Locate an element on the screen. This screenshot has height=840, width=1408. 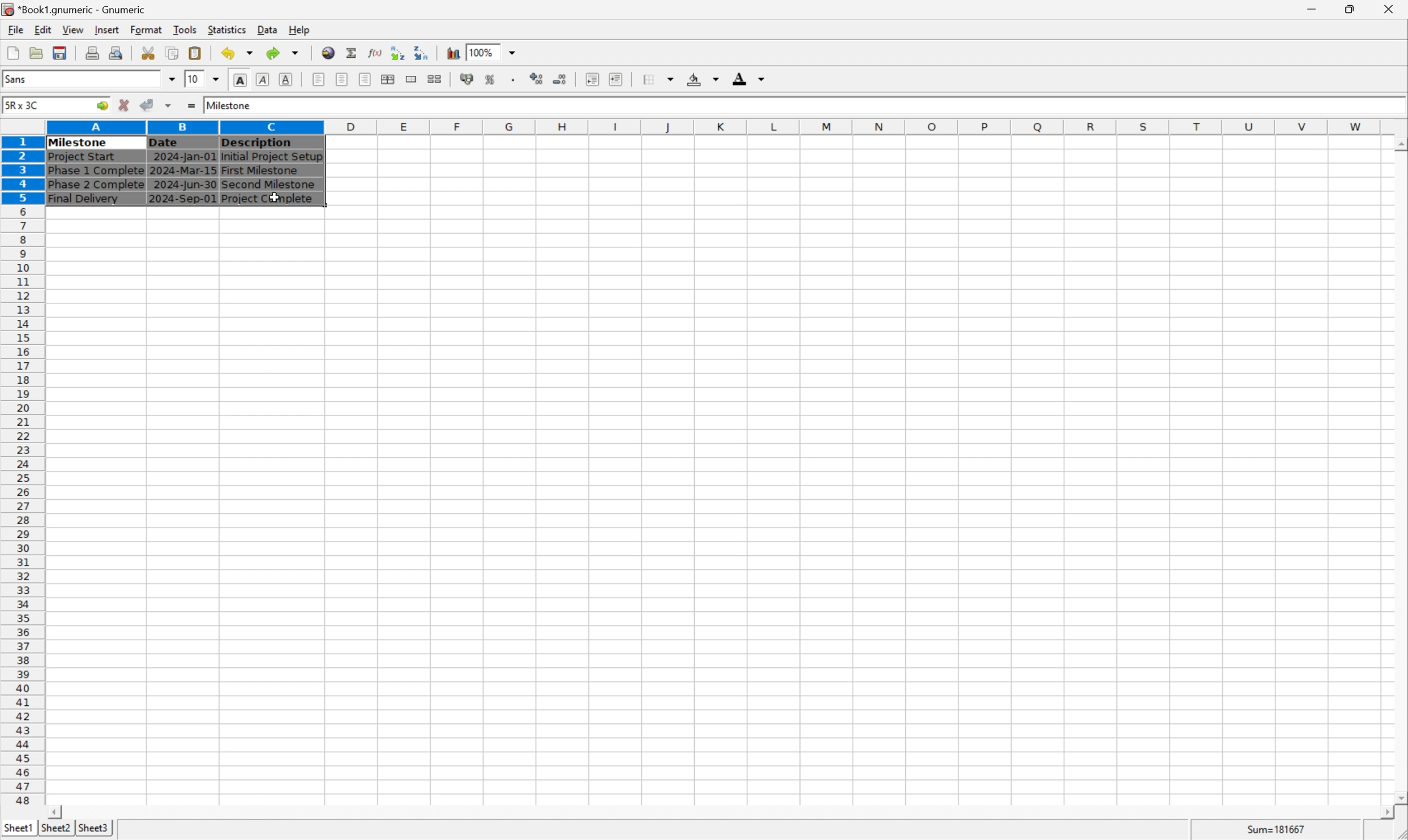
redo is located at coordinates (285, 52).